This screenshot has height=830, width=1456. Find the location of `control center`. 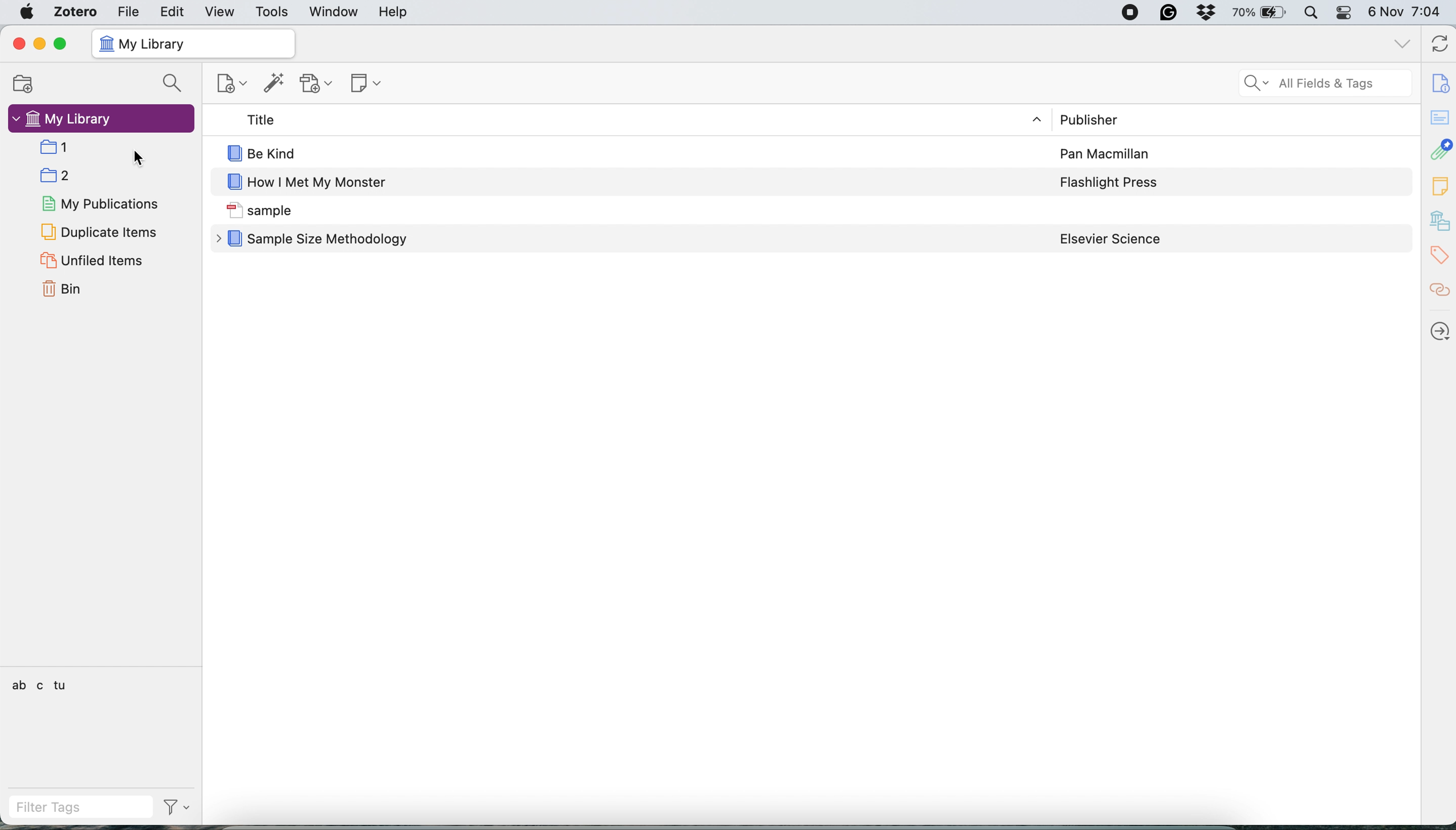

control center is located at coordinates (1347, 13).